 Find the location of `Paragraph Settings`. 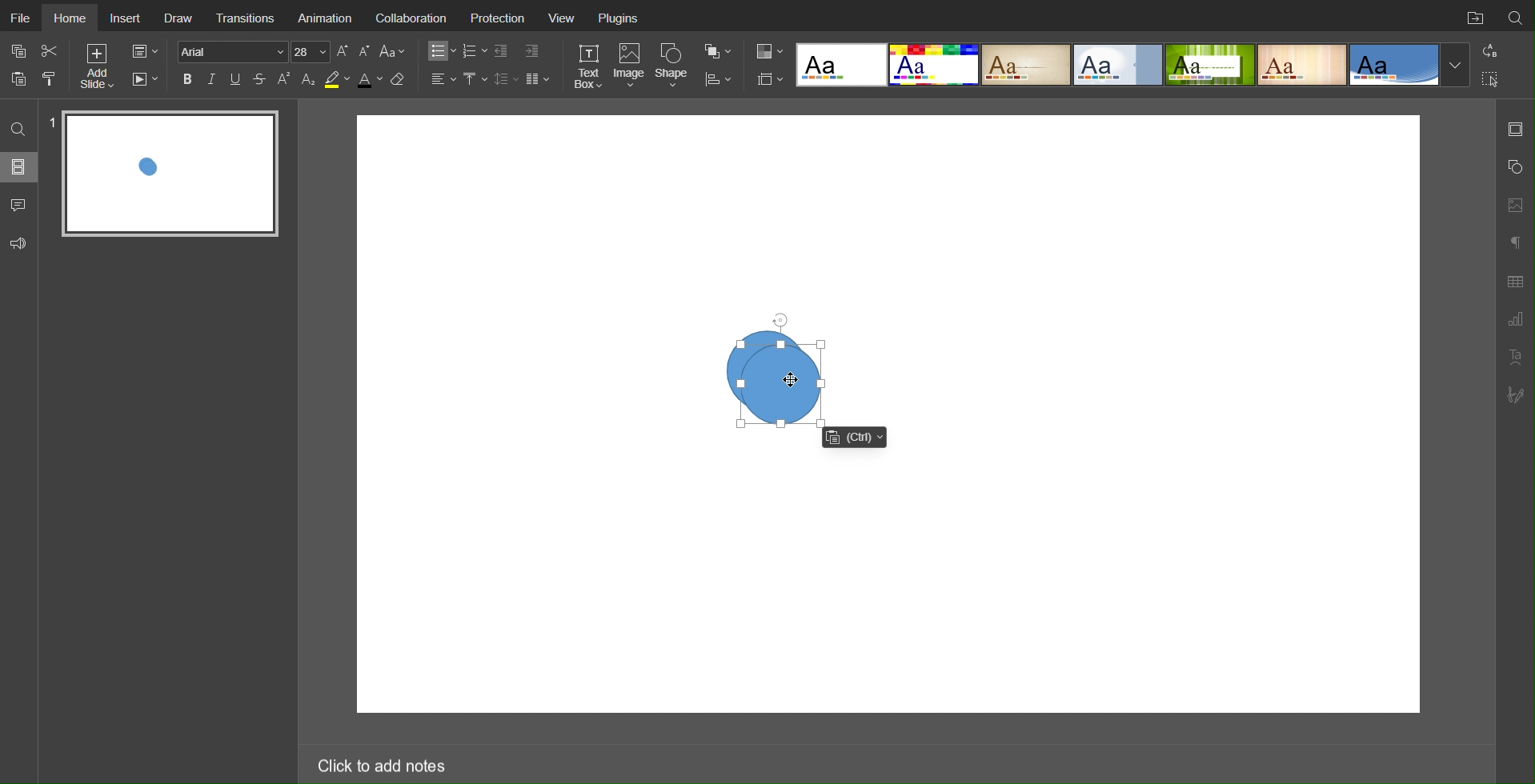

Paragraph Settings is located at coordinates (1514, 240).